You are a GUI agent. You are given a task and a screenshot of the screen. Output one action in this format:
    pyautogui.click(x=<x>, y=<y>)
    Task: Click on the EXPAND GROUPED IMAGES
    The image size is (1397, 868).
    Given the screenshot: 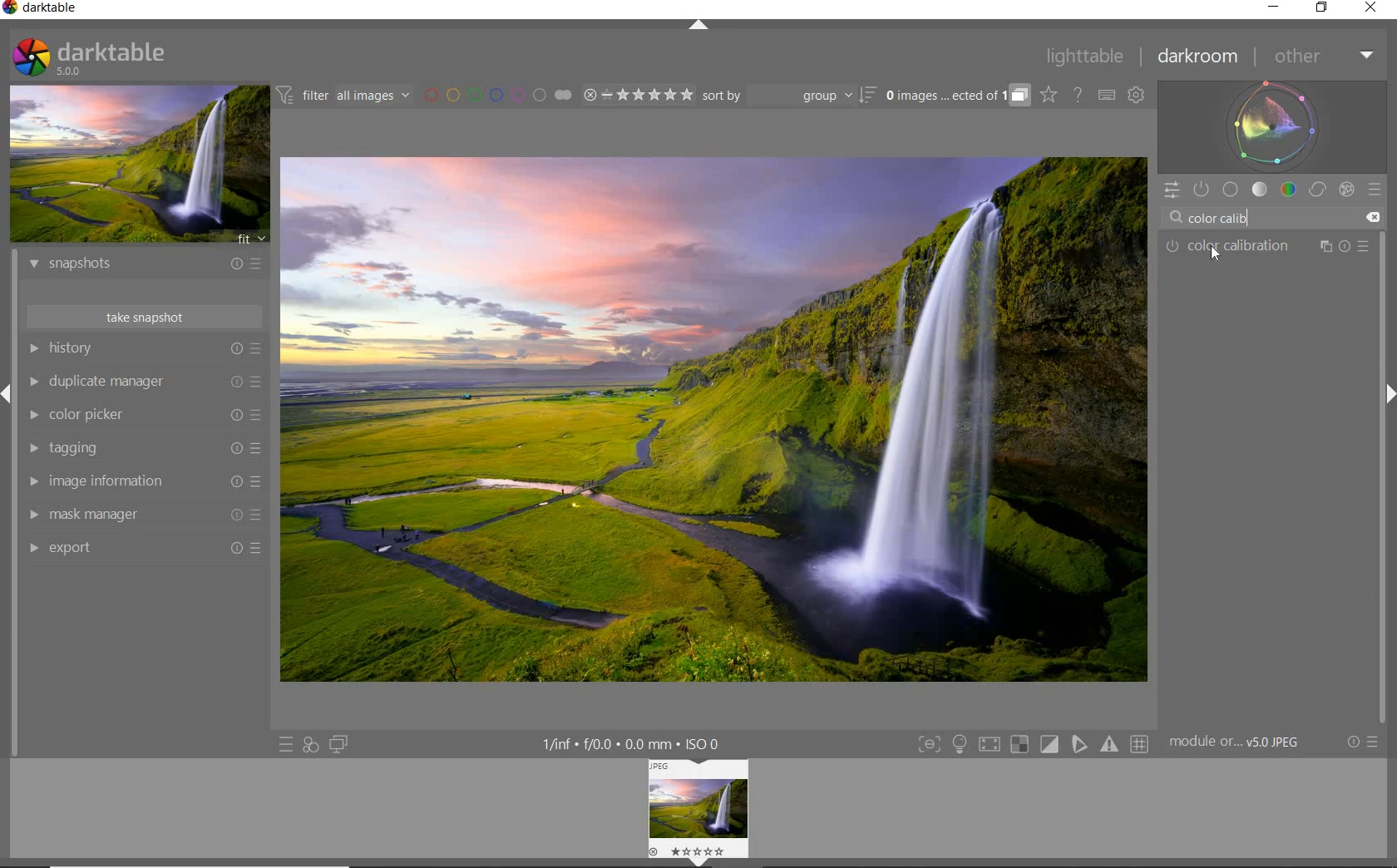 What is the action you would take?
    pyautogui.click(x=958, y=96)
    